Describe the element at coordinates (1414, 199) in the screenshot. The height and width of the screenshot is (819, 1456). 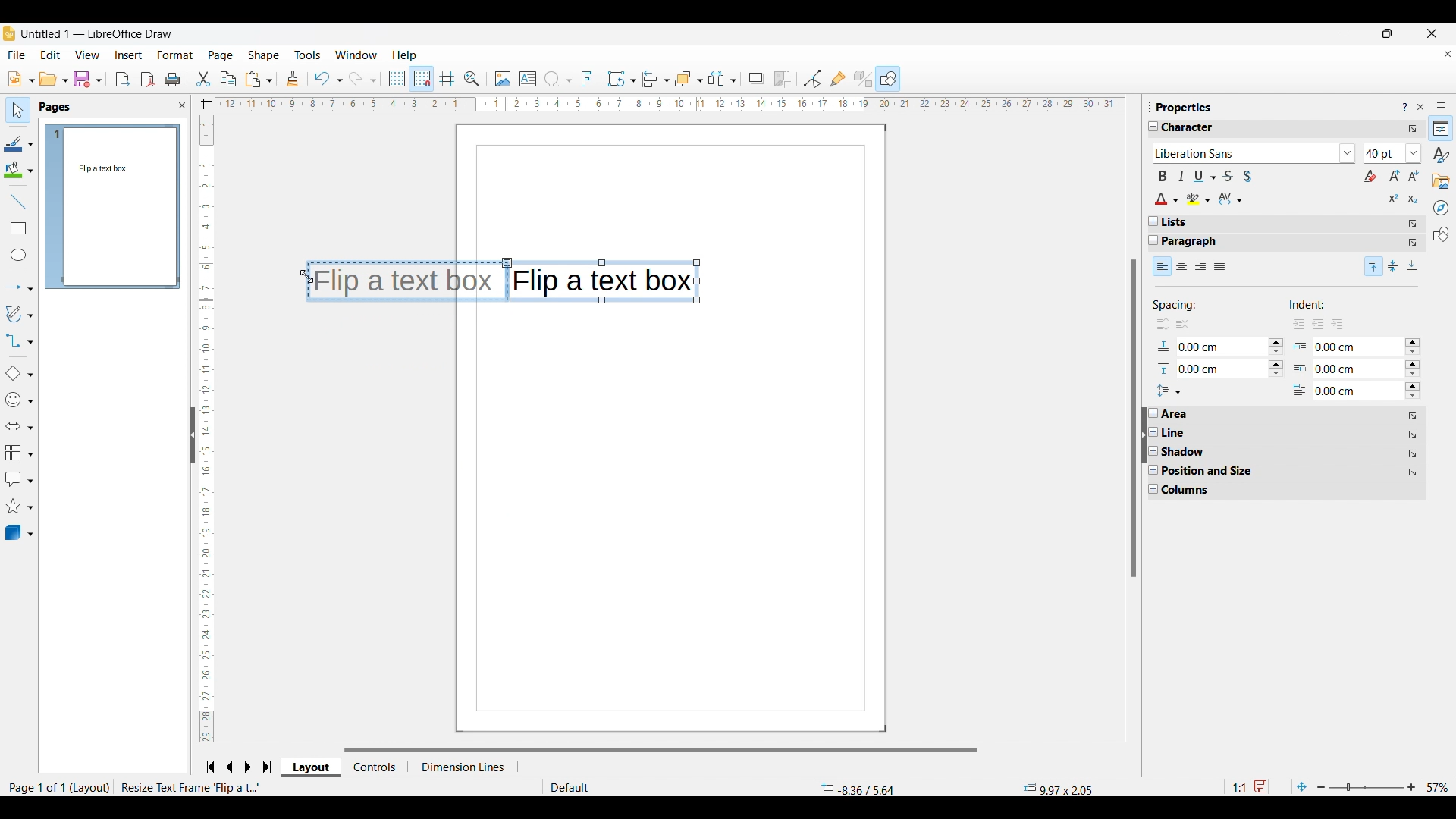
I see `Subscript` at that location.